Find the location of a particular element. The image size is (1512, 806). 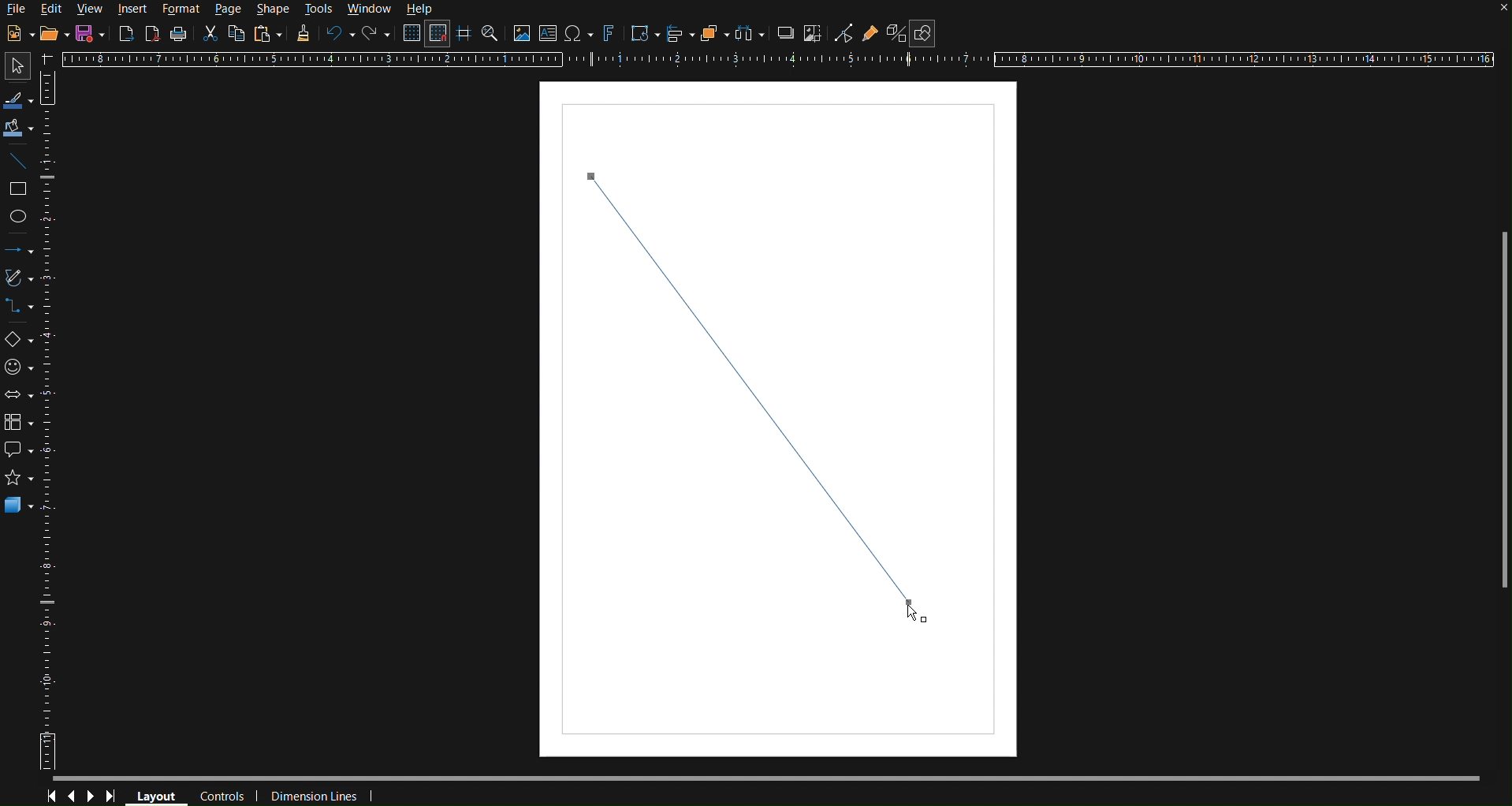

Align Objects is located at coordinates (680, 33).